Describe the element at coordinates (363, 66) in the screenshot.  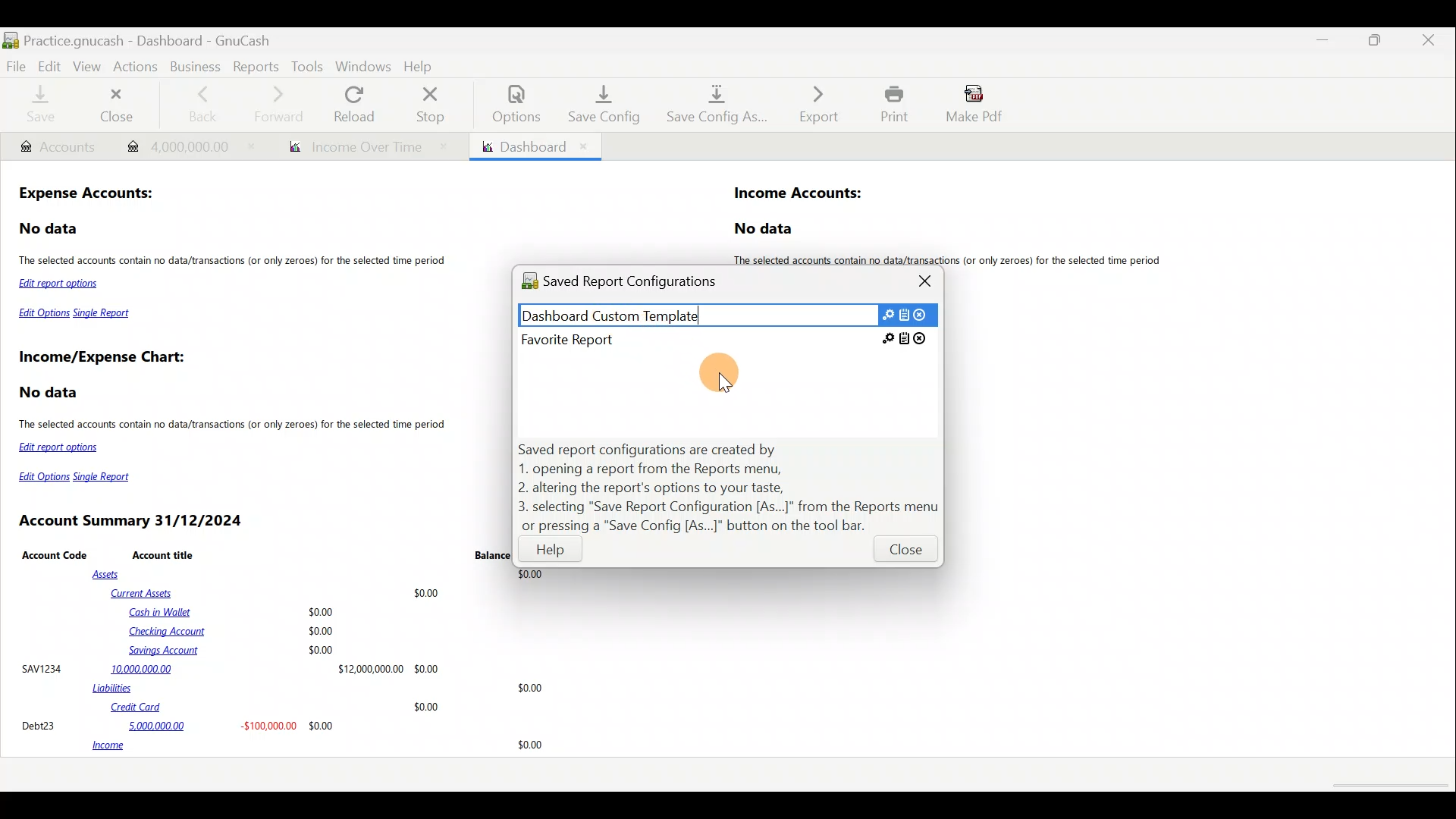
I see `Windows` at that location.